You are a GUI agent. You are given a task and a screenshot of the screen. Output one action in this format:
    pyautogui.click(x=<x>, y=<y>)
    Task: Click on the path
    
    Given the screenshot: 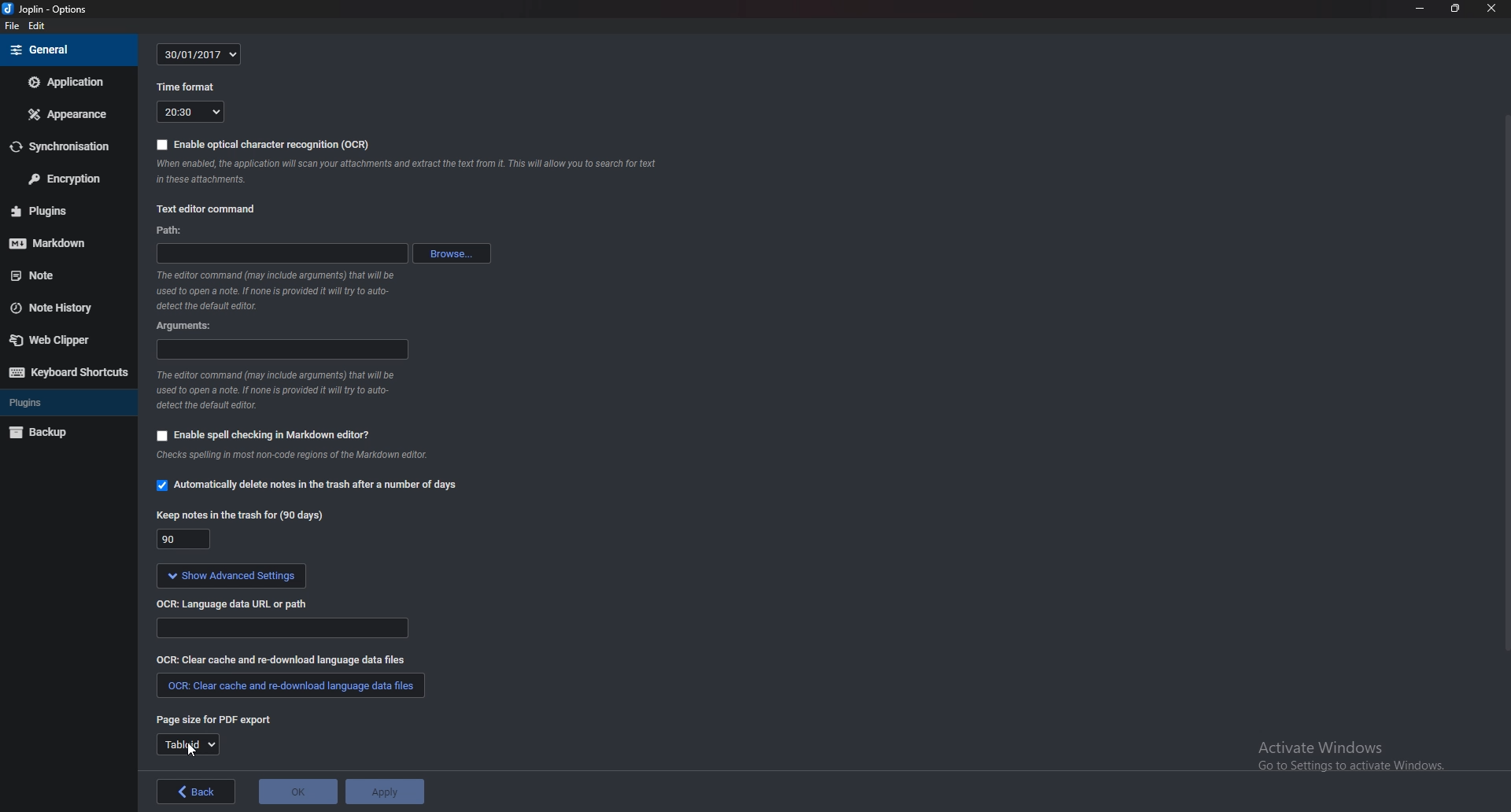 What is the action you would take?
    pyautogui.click(x=289, y=630)
    